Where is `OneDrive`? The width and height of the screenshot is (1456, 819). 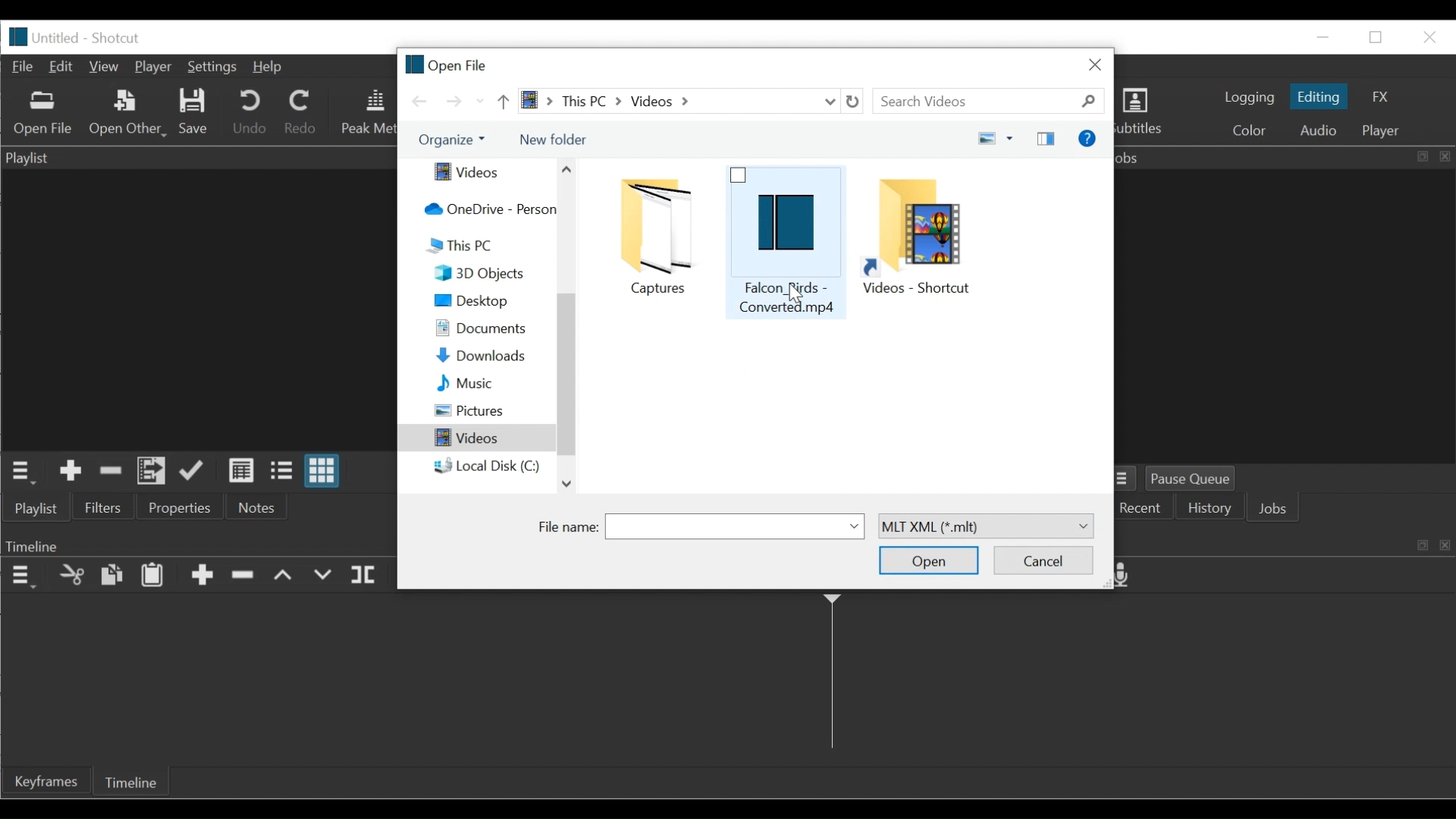 OneDrive is located at coordinates (485, 210).